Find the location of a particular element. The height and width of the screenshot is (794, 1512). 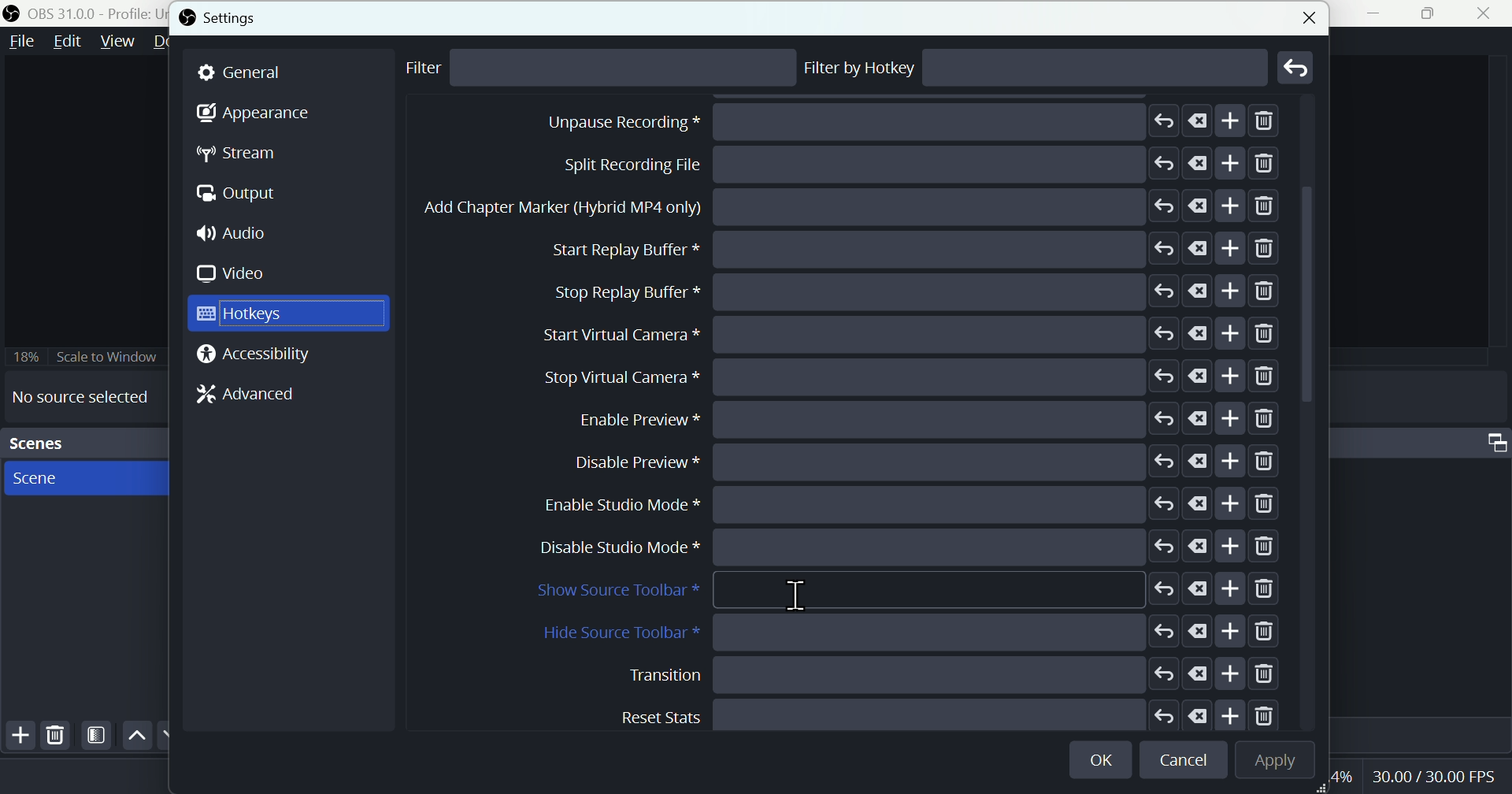

Audio mixer is located at coordinates (1493, 439).